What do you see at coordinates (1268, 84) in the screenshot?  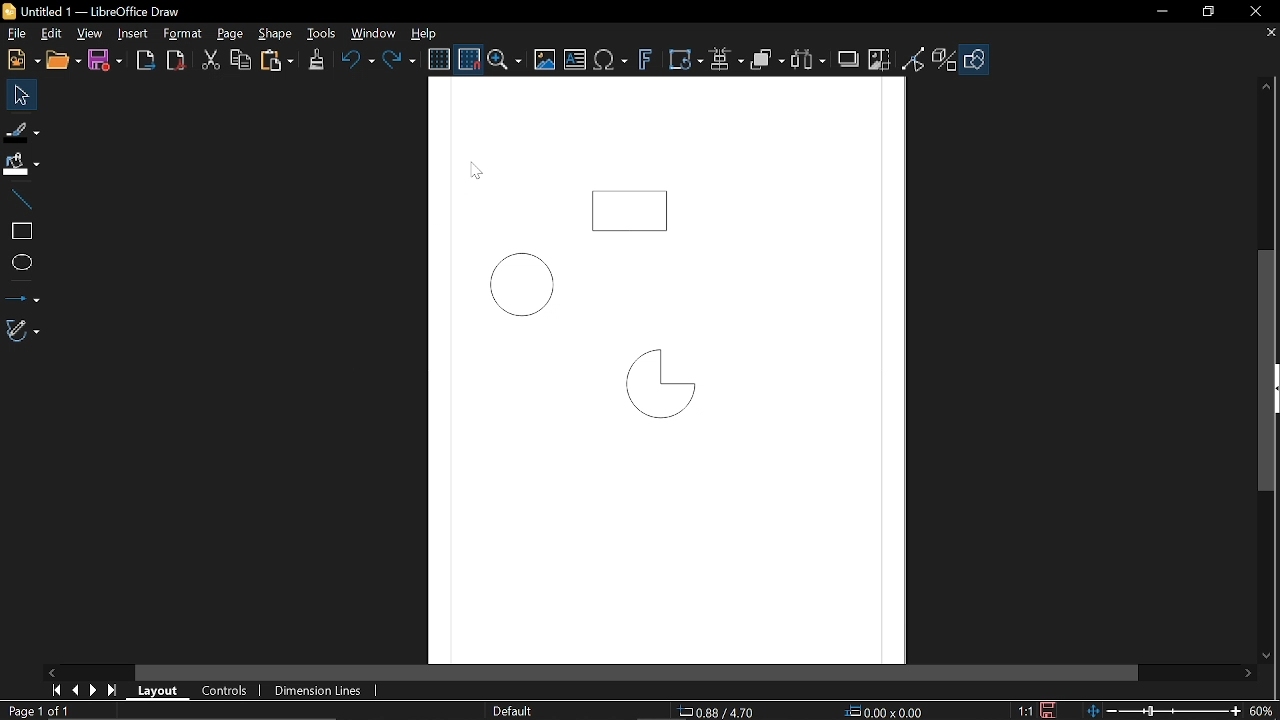 I see `Move up` at bounding box center [1268, 84].